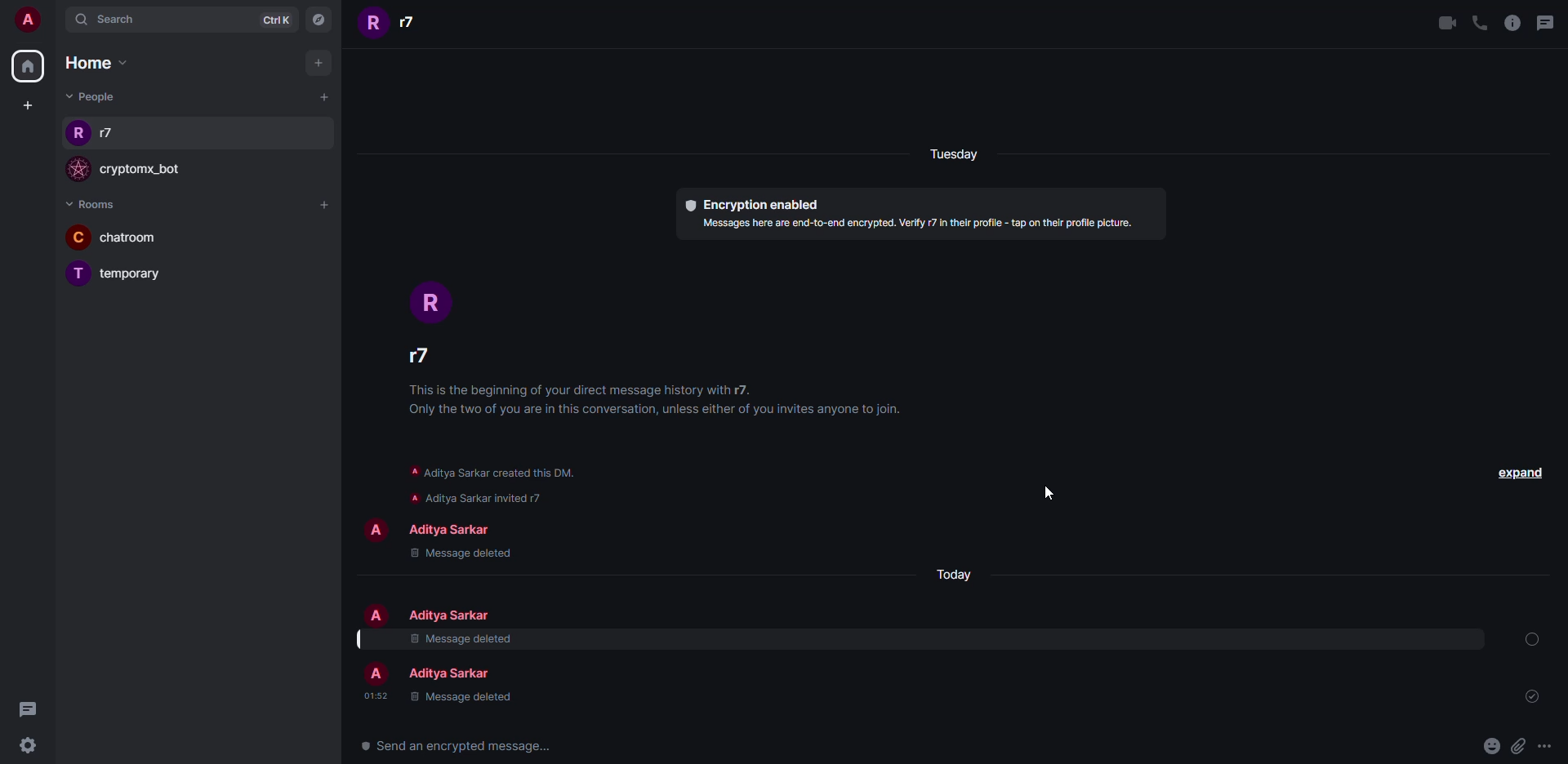 This screenshot has width=1568, height=764. I want to click on cursor, so click(1053, 491).